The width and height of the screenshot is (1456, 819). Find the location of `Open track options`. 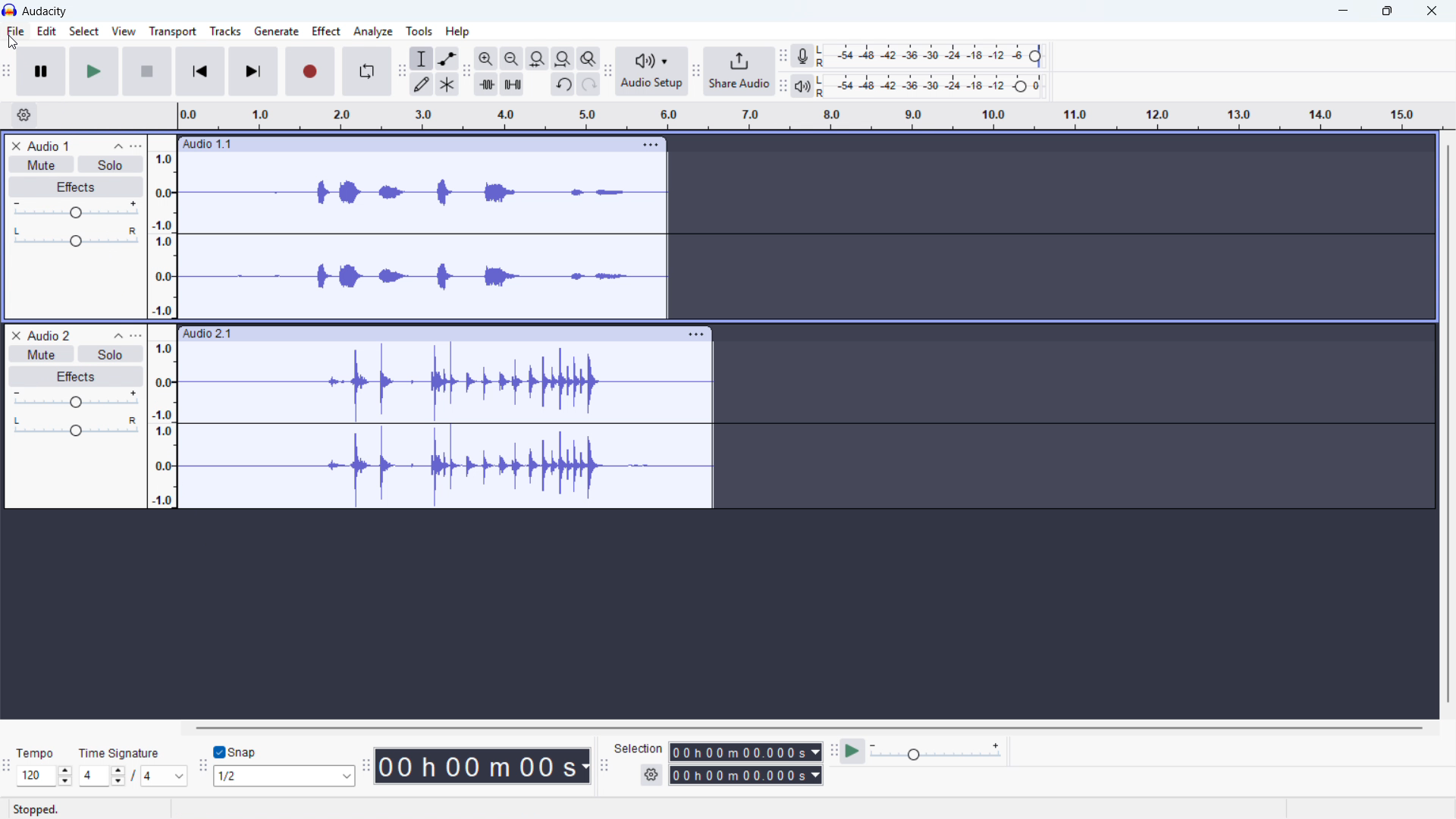

Open track options is located at coordinates (652, 143).